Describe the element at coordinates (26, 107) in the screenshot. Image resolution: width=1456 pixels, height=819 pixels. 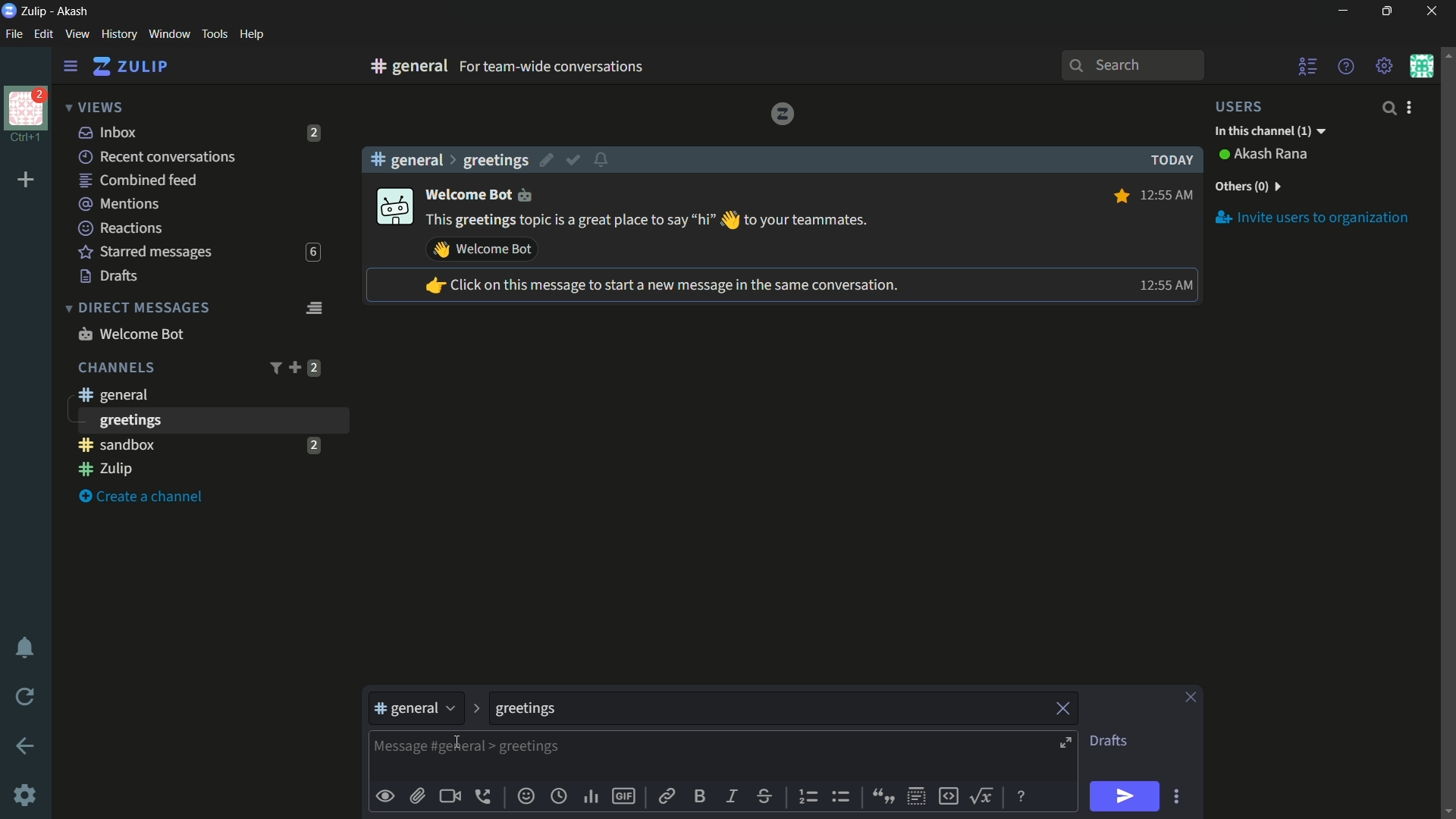
I see `profile` at that location.